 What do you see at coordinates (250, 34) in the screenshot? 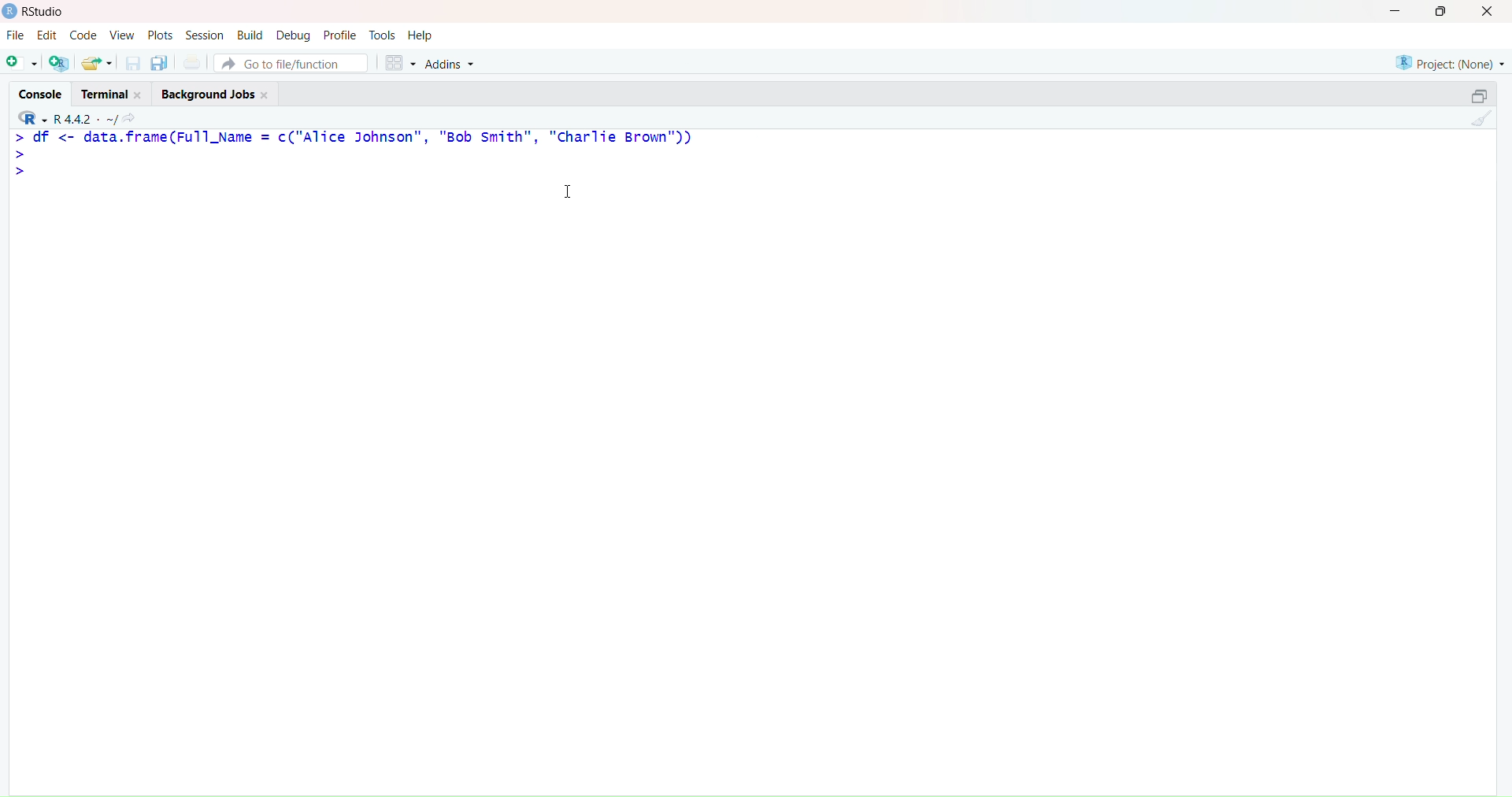
I see `Build` at bounding box center [250, 34].